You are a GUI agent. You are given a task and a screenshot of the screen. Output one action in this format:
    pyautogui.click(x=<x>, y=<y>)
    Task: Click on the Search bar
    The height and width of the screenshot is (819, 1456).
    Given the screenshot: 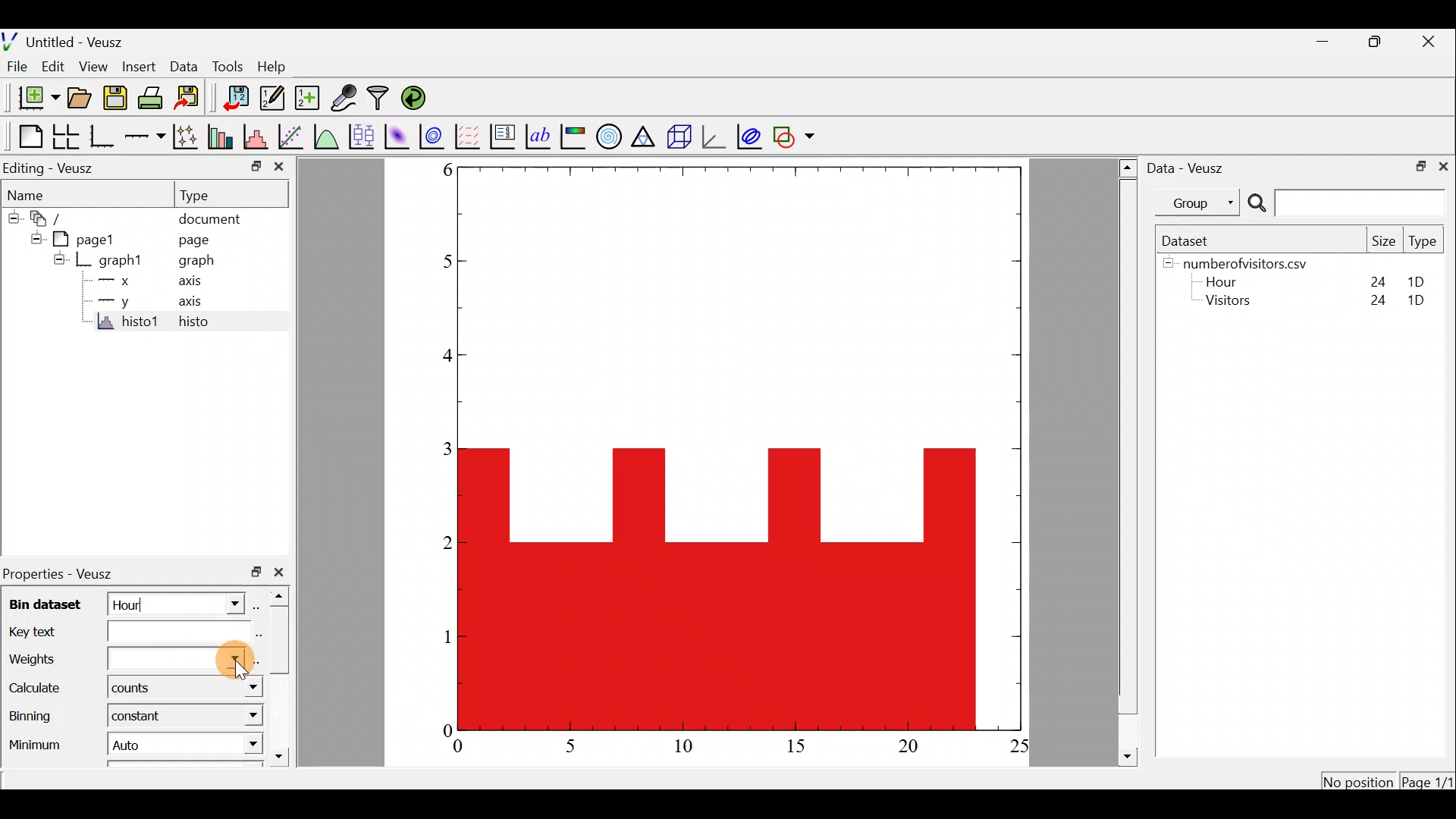 What is the action you would take?
    pyautogui.click(x=1346, y=203)
    